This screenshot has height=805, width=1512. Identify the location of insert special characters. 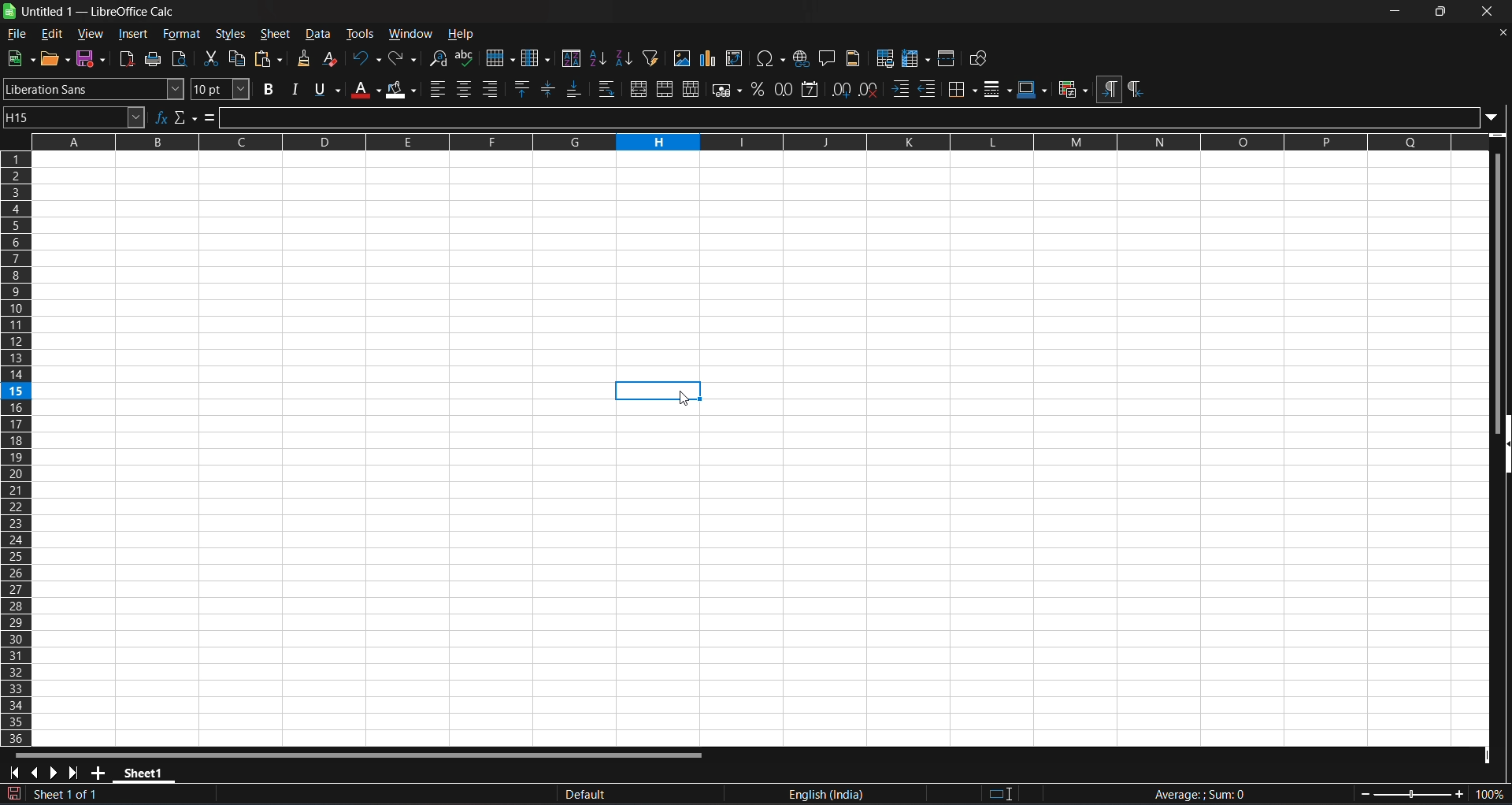
(769, 58).